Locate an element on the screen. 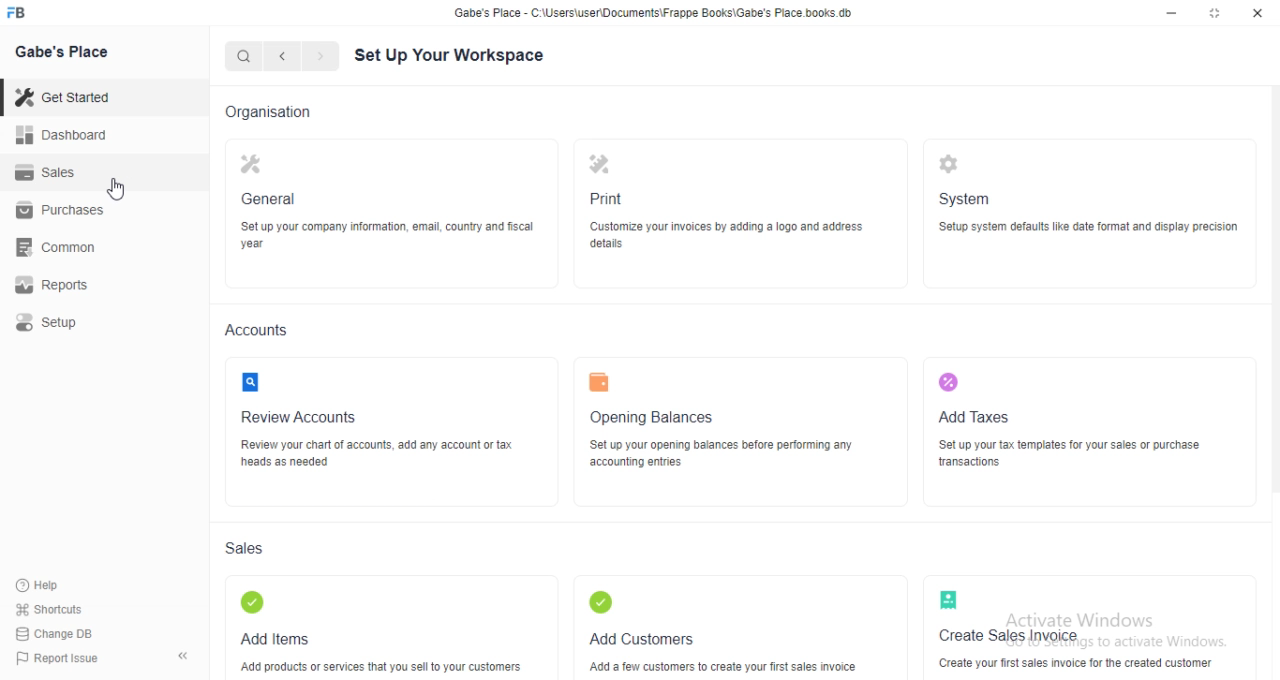 This screenshot has height=680, width=1280. Add Taxes is located at coordinates (981, 392).